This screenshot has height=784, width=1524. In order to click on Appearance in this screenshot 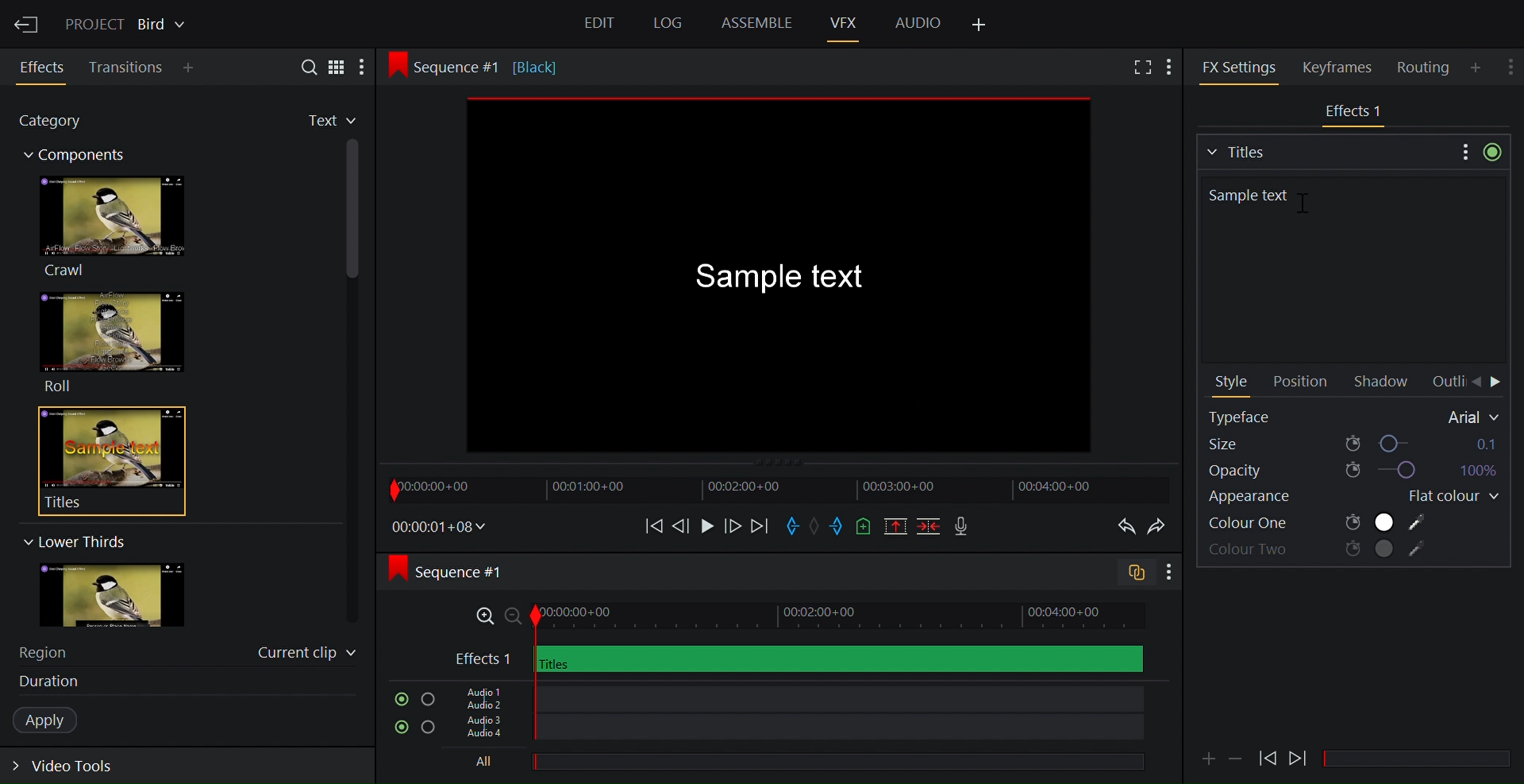, I will do `click(1268, 499)`.